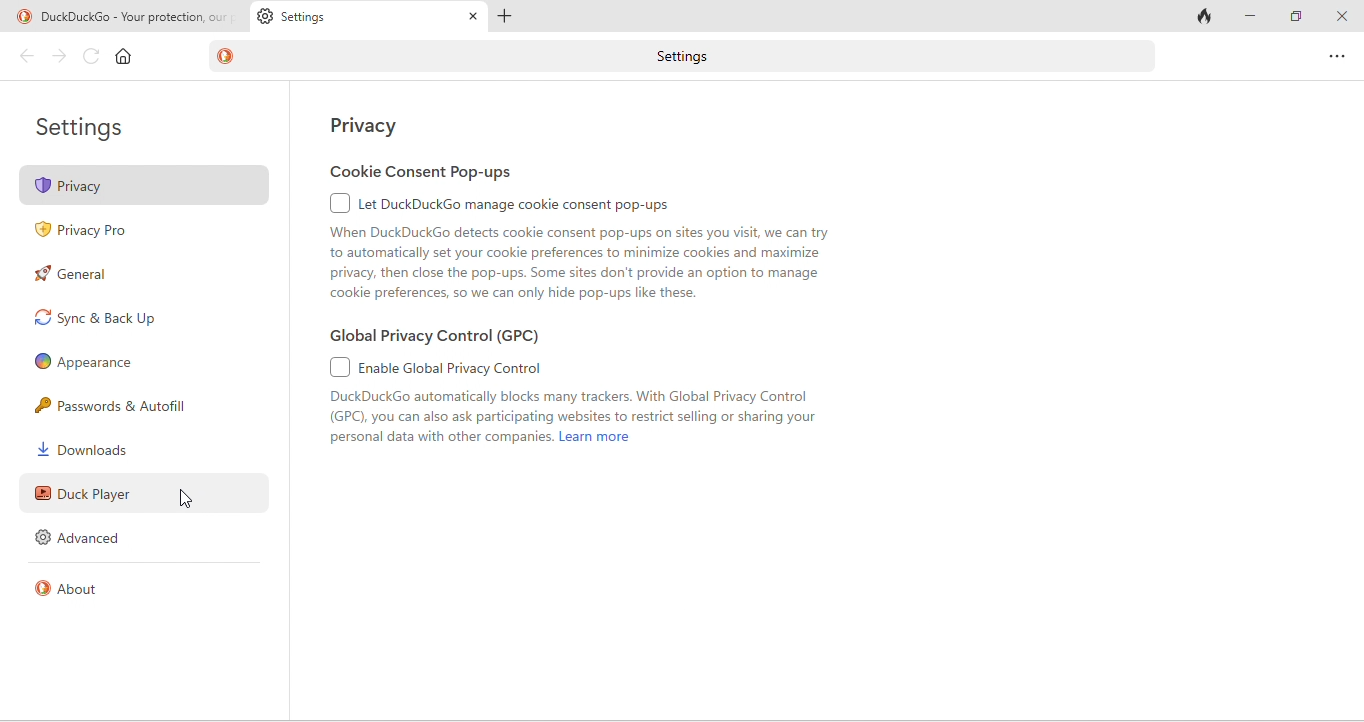  Describe the element at coordinates (690, 57) in the screenshot. I see `settings` at that location.